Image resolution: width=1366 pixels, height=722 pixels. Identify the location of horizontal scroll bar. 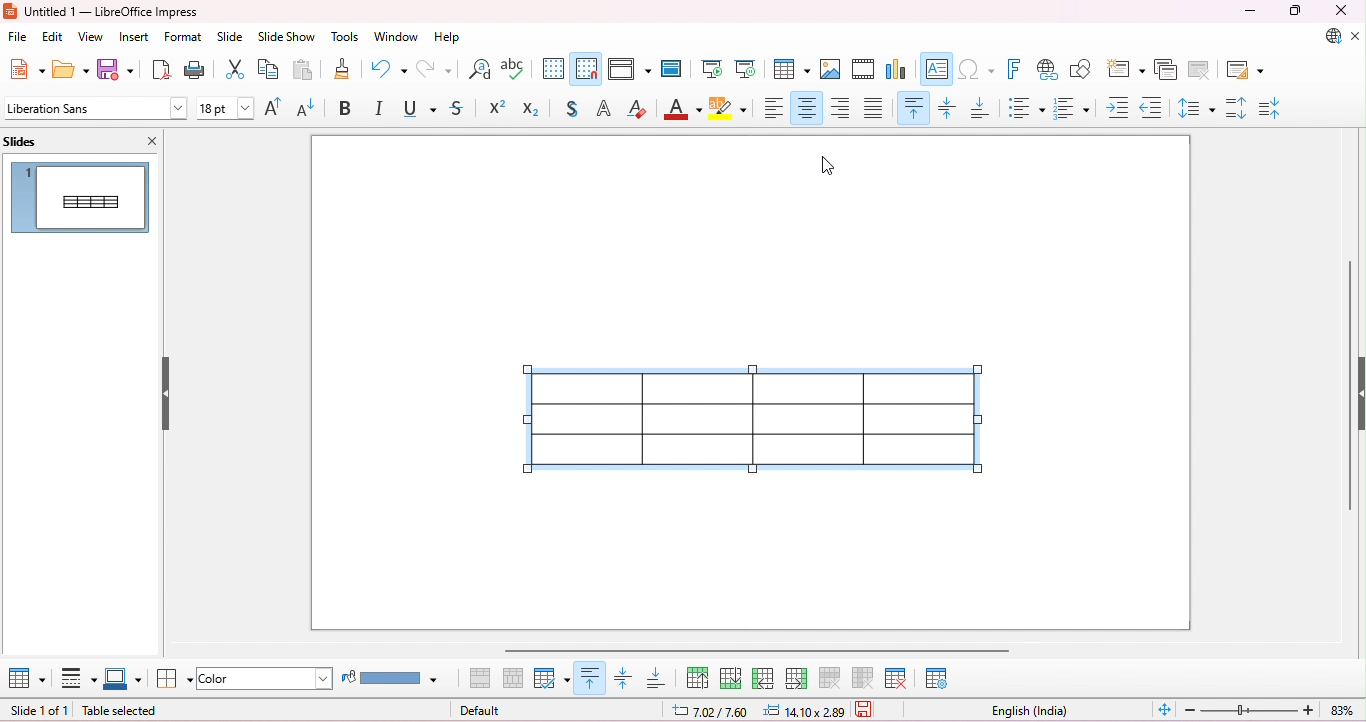
(758, 650).